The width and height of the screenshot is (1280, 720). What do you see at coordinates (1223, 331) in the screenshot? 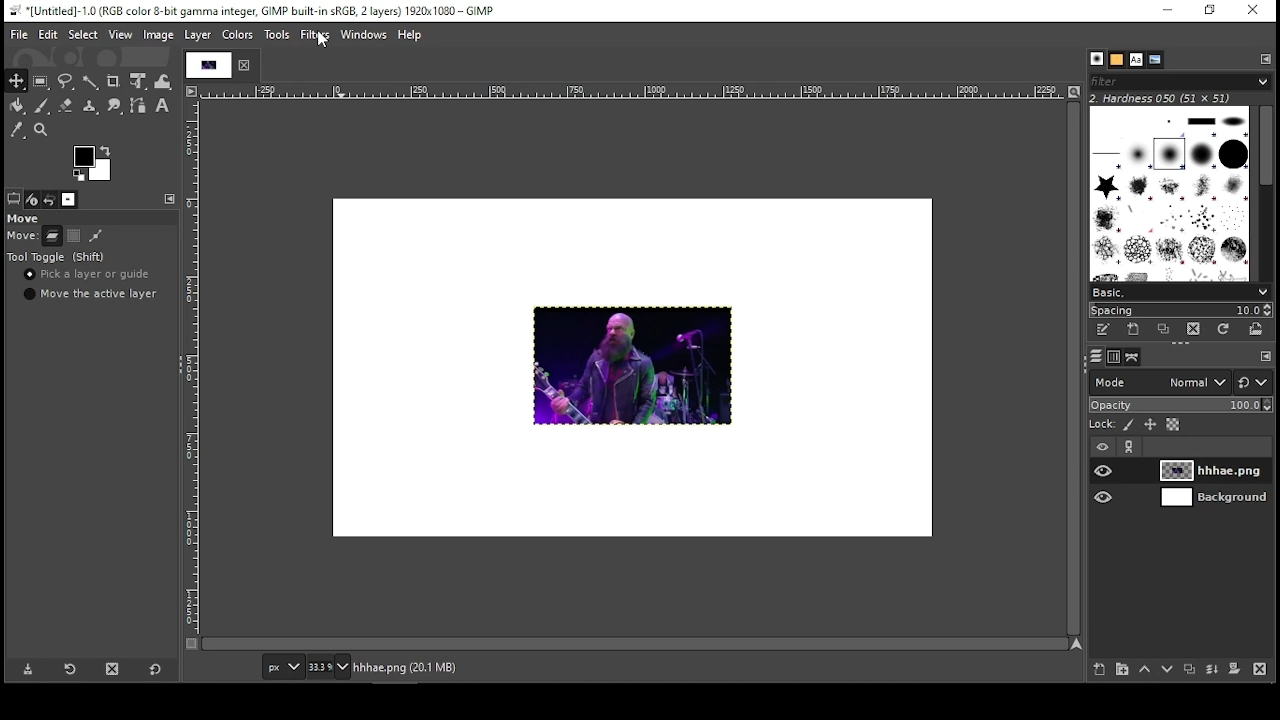
I see `refresh brushes` at bounding box center [1223, 331].